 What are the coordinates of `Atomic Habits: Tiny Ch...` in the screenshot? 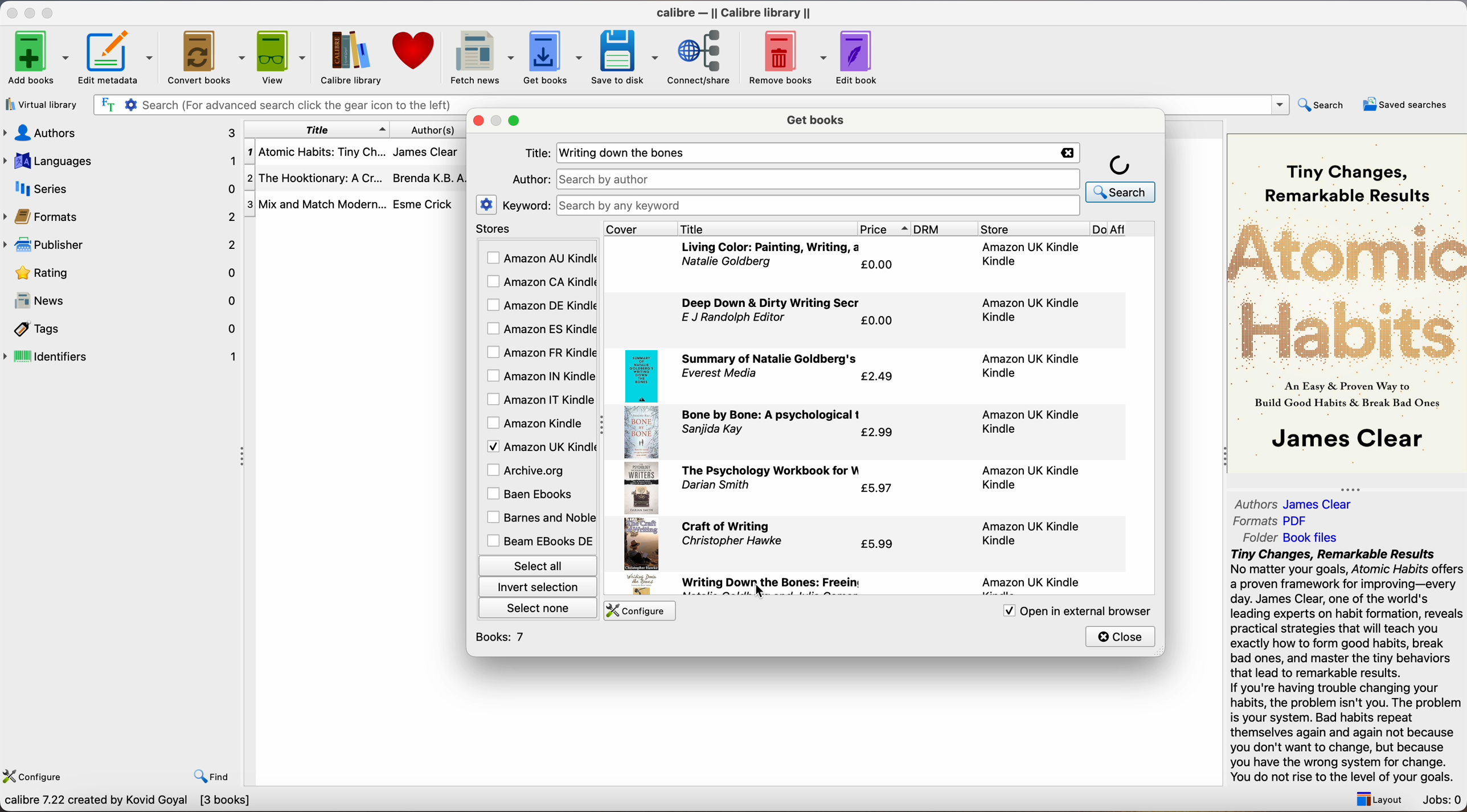 It's located at (315, 153).